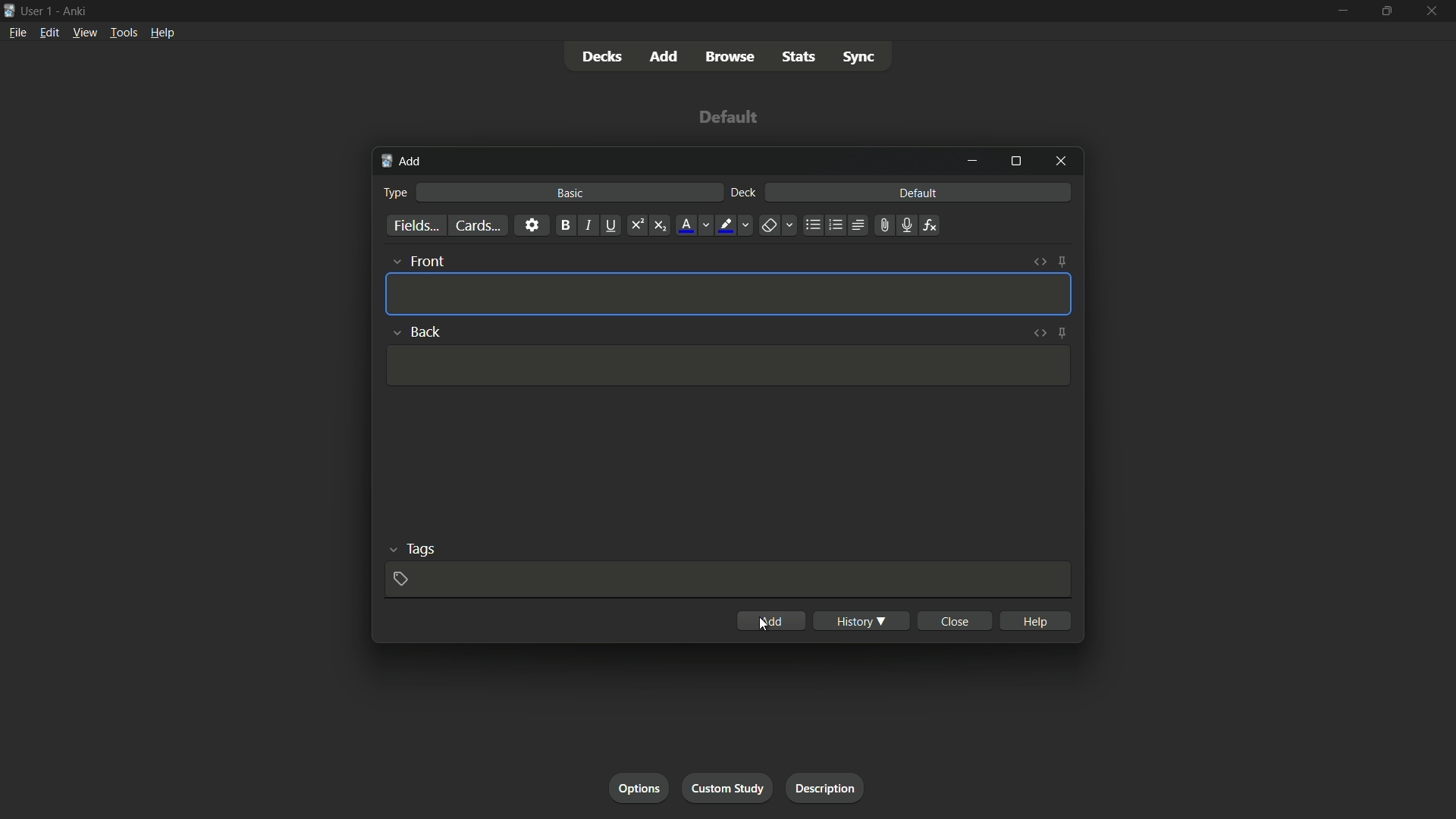 The image size is (1456, 819). Describe the element at coordinates (636, 225) in the screenshot. I see `superscript` at that location.